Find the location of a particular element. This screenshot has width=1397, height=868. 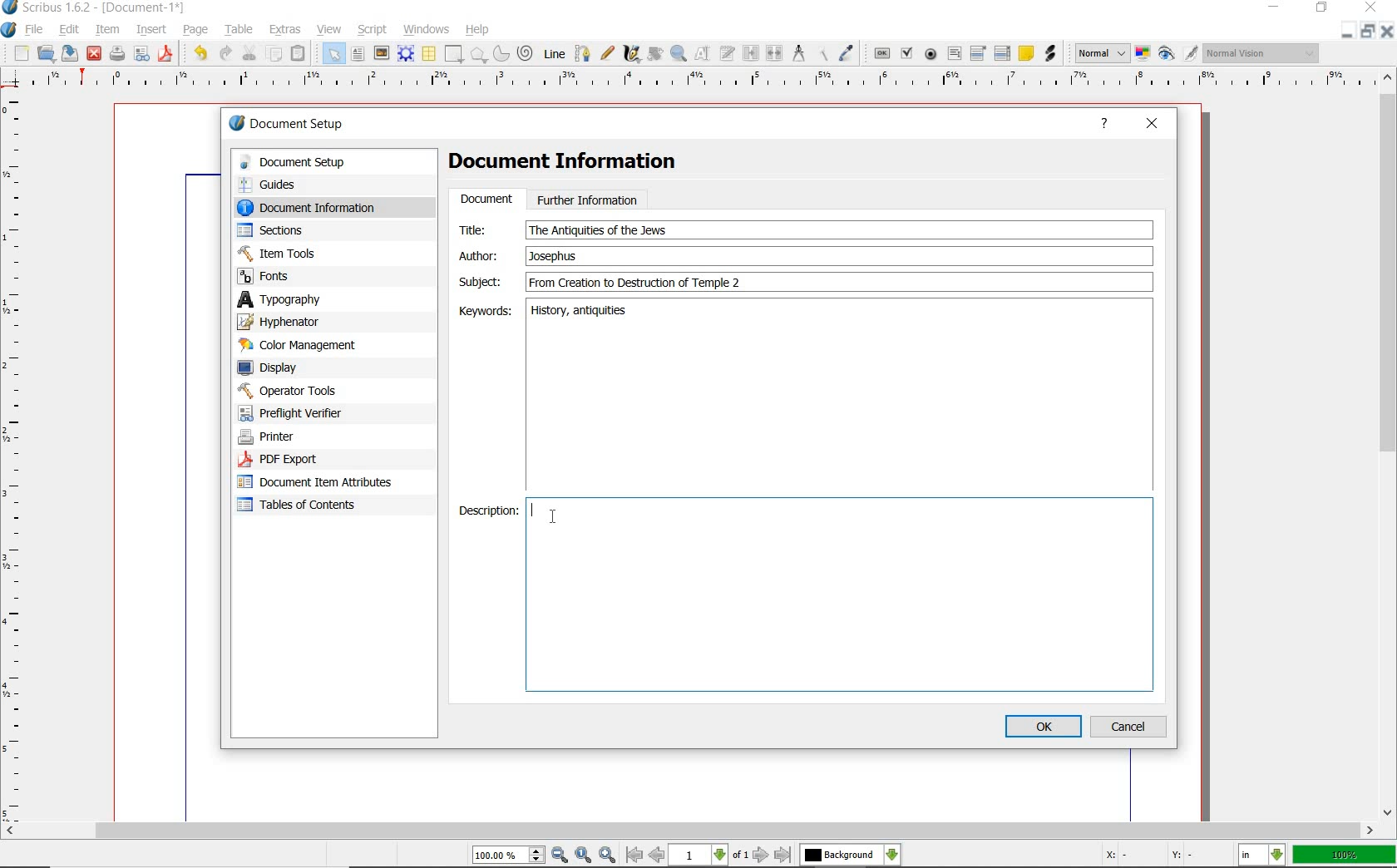

operator tools is located at coordinates (310, 391).